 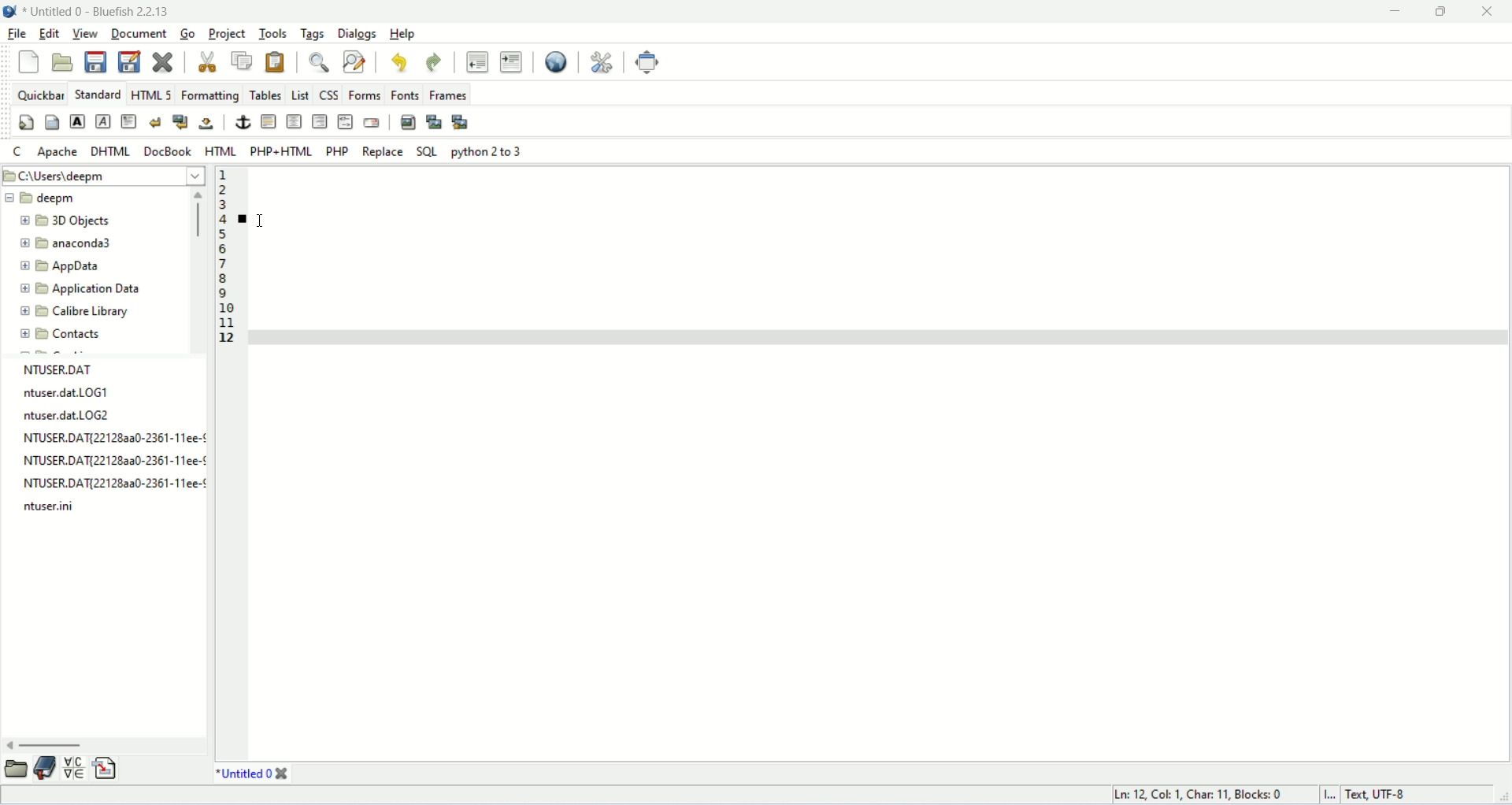 I want to click on deepm, so click(x=43, y=198).